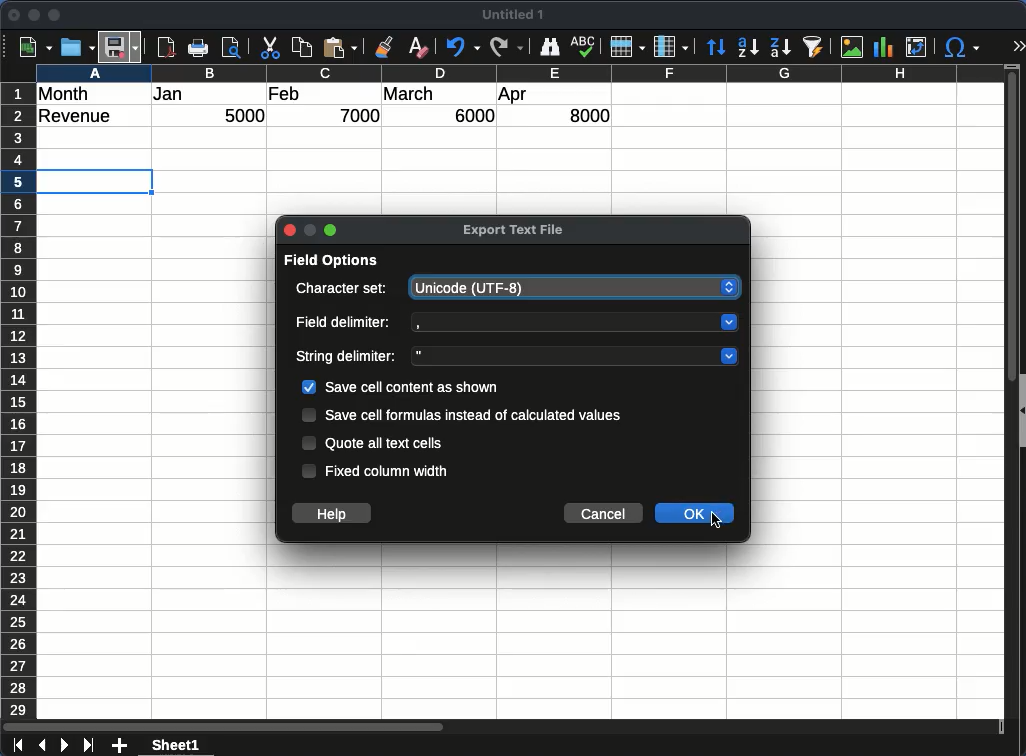  What do you see at coordinates (233, 49) in the screenshot?
I see `print preview` at bounding box center [233, 49].